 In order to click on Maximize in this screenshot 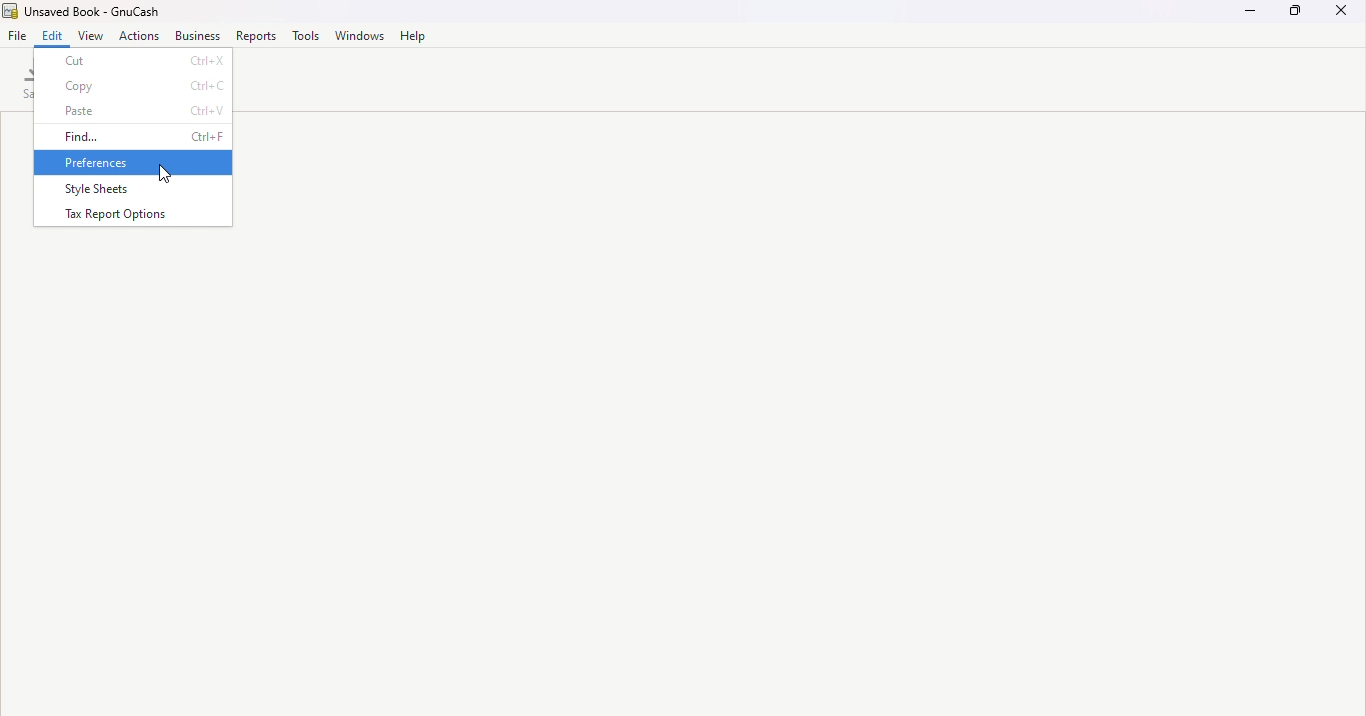, I will do `click(1296, 13)`.